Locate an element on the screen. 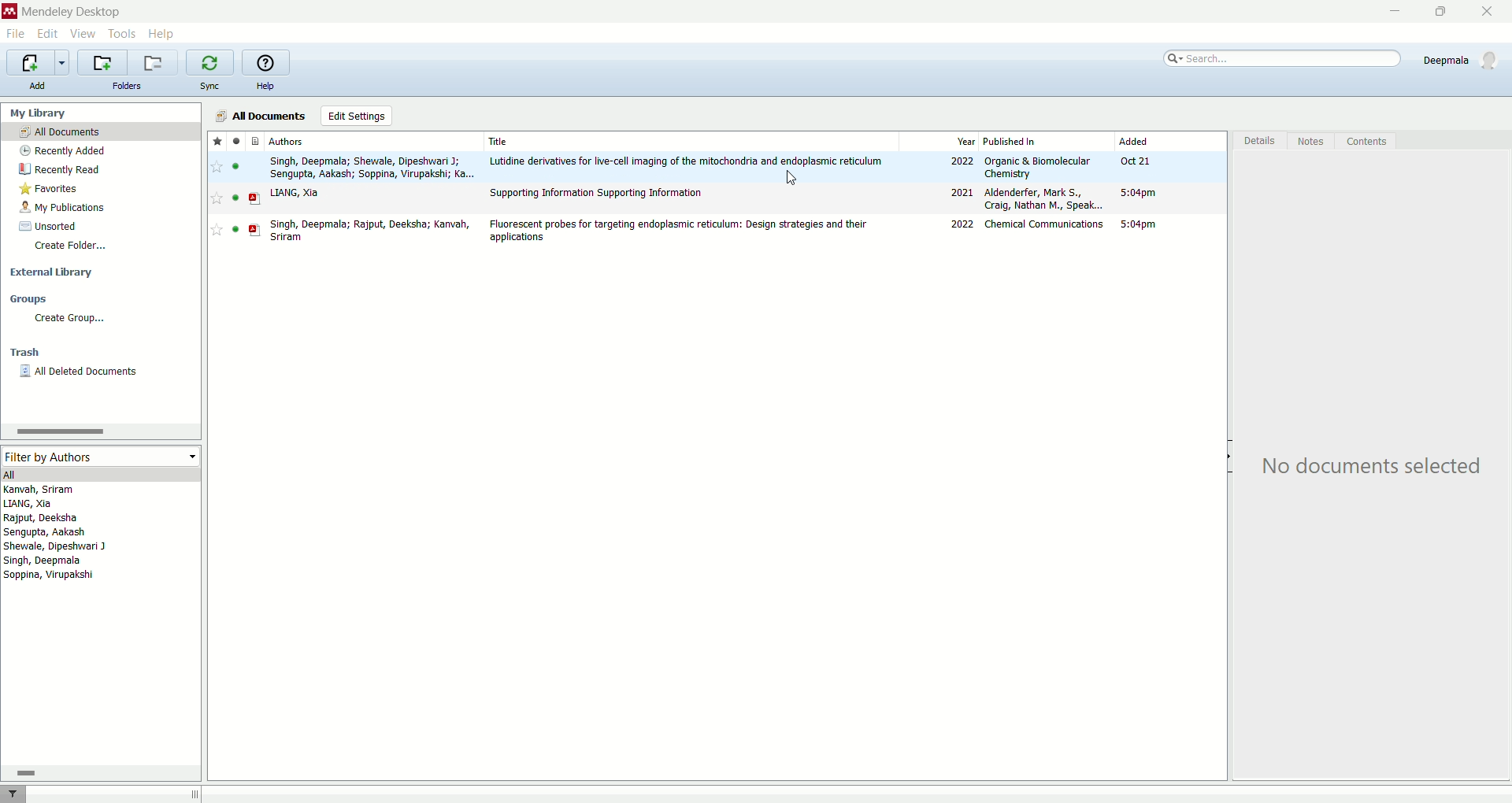 This screenshot has width=1512, height=803. favorites is located at coordinates (217, 140).